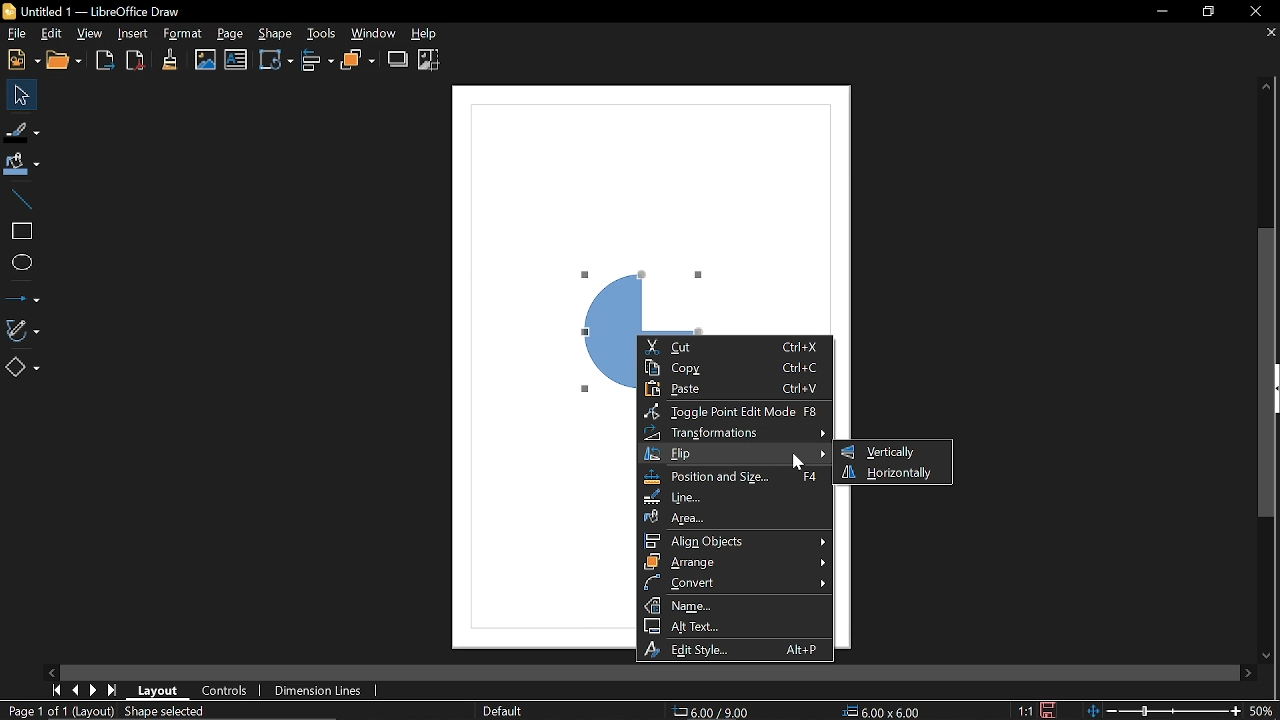 Image resolution: width=1280 pixels, height=720 pixels. Describe the element at coordinates (24, 293) in the screenshot. I see `Lines and arrows` at that location.